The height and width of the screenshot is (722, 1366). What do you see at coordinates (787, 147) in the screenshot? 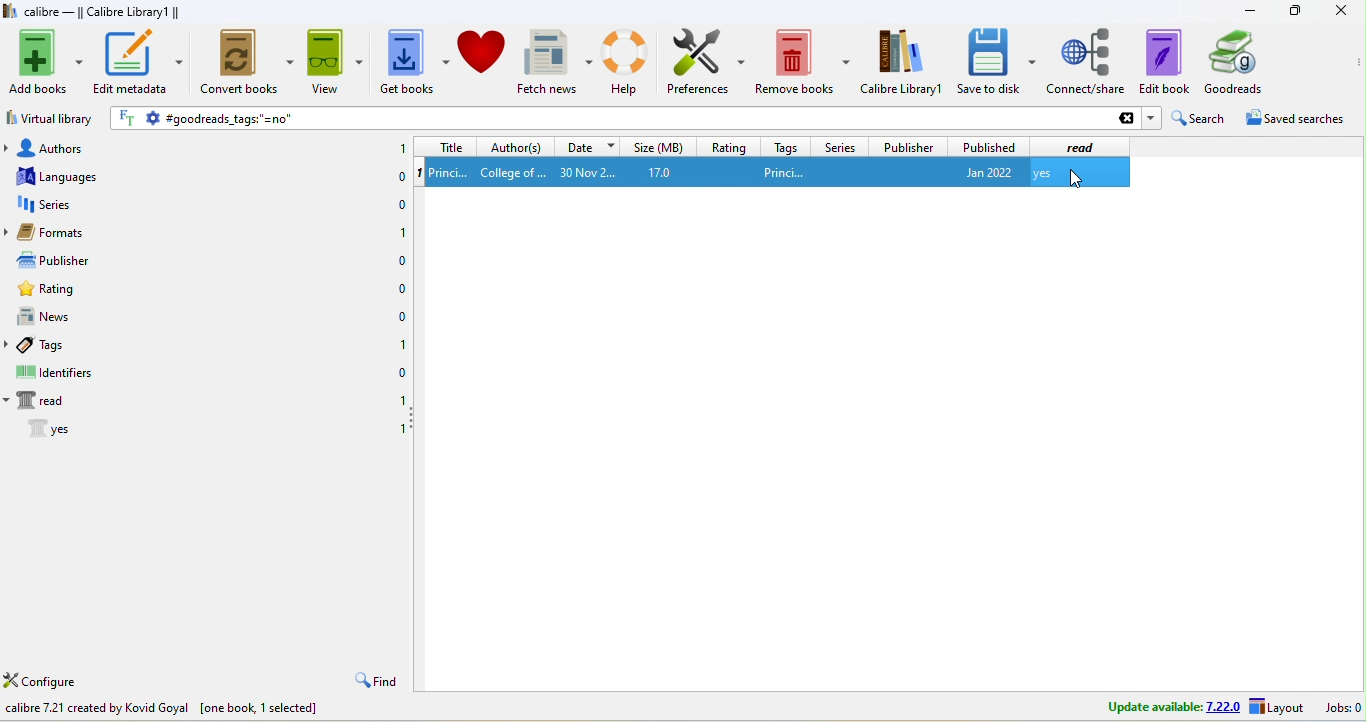
I see `tags` at bounding box center [787, 147].